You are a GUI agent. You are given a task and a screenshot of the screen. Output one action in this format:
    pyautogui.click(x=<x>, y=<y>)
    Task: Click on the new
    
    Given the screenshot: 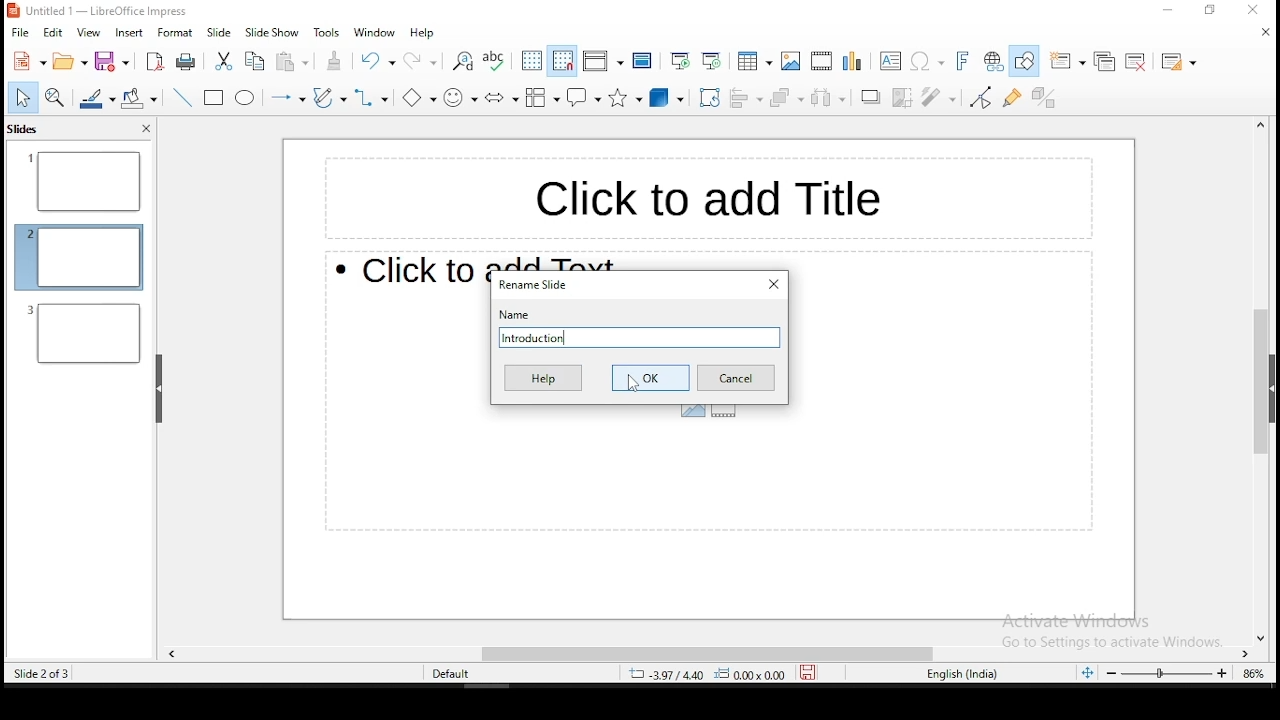 What is the action you would take?
    pyautogui.click(x=28, y=60)
    